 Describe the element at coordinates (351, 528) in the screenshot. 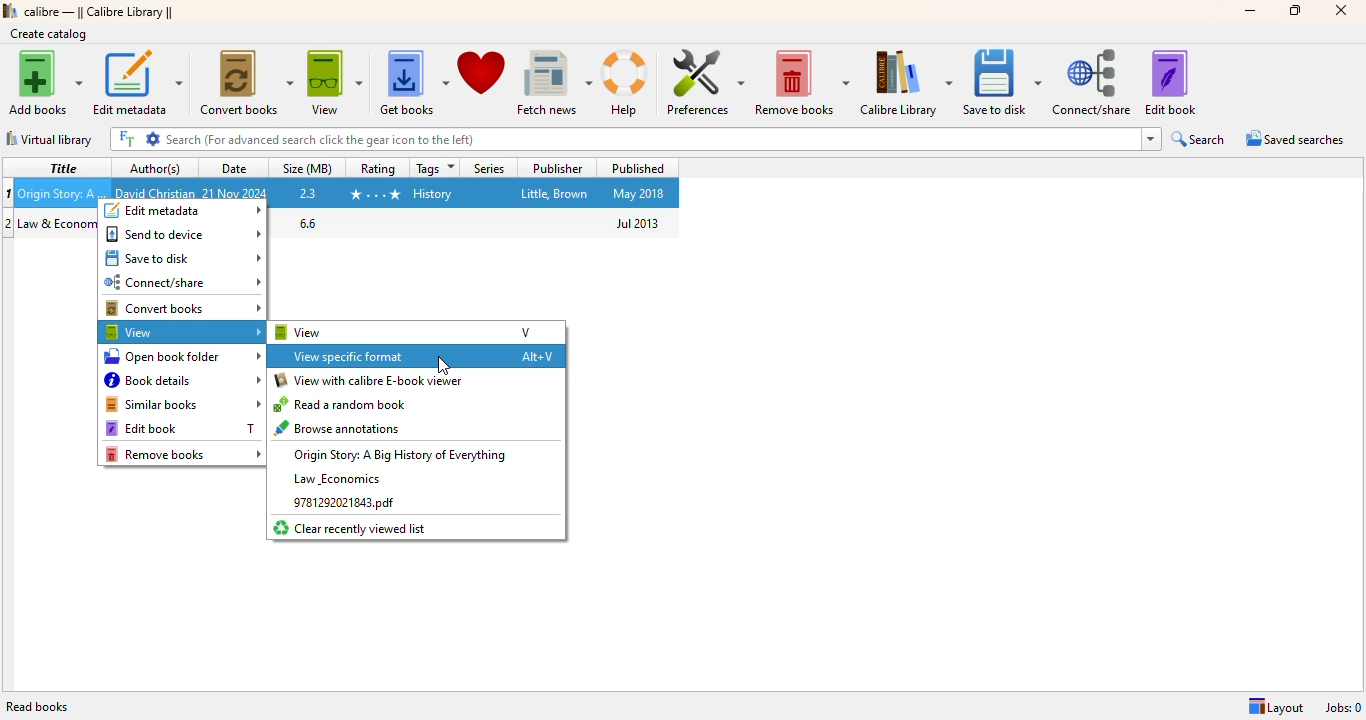

I see `clear recently viewed list` at that location.